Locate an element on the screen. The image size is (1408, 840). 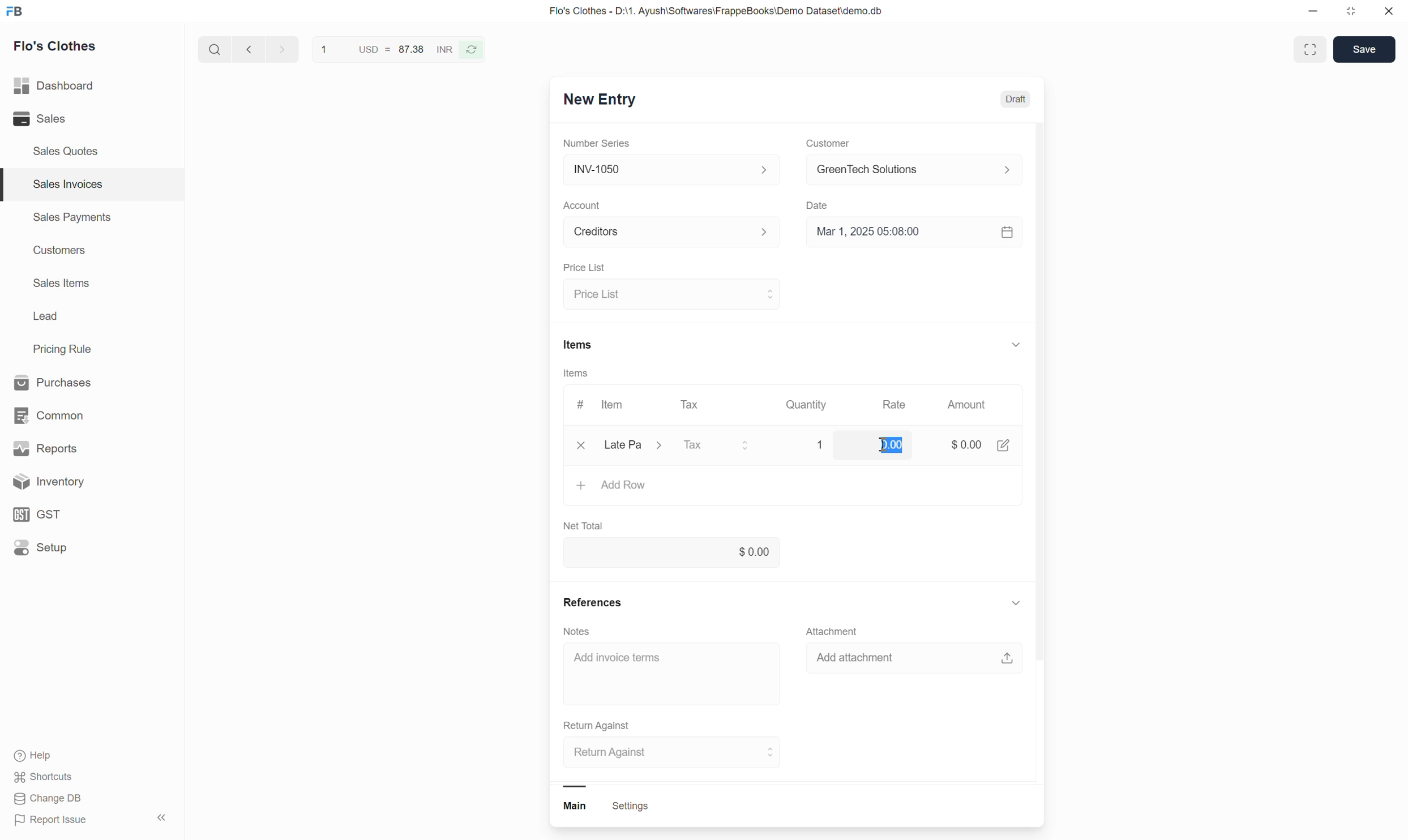
Customer is located at coordinates (827, 144).